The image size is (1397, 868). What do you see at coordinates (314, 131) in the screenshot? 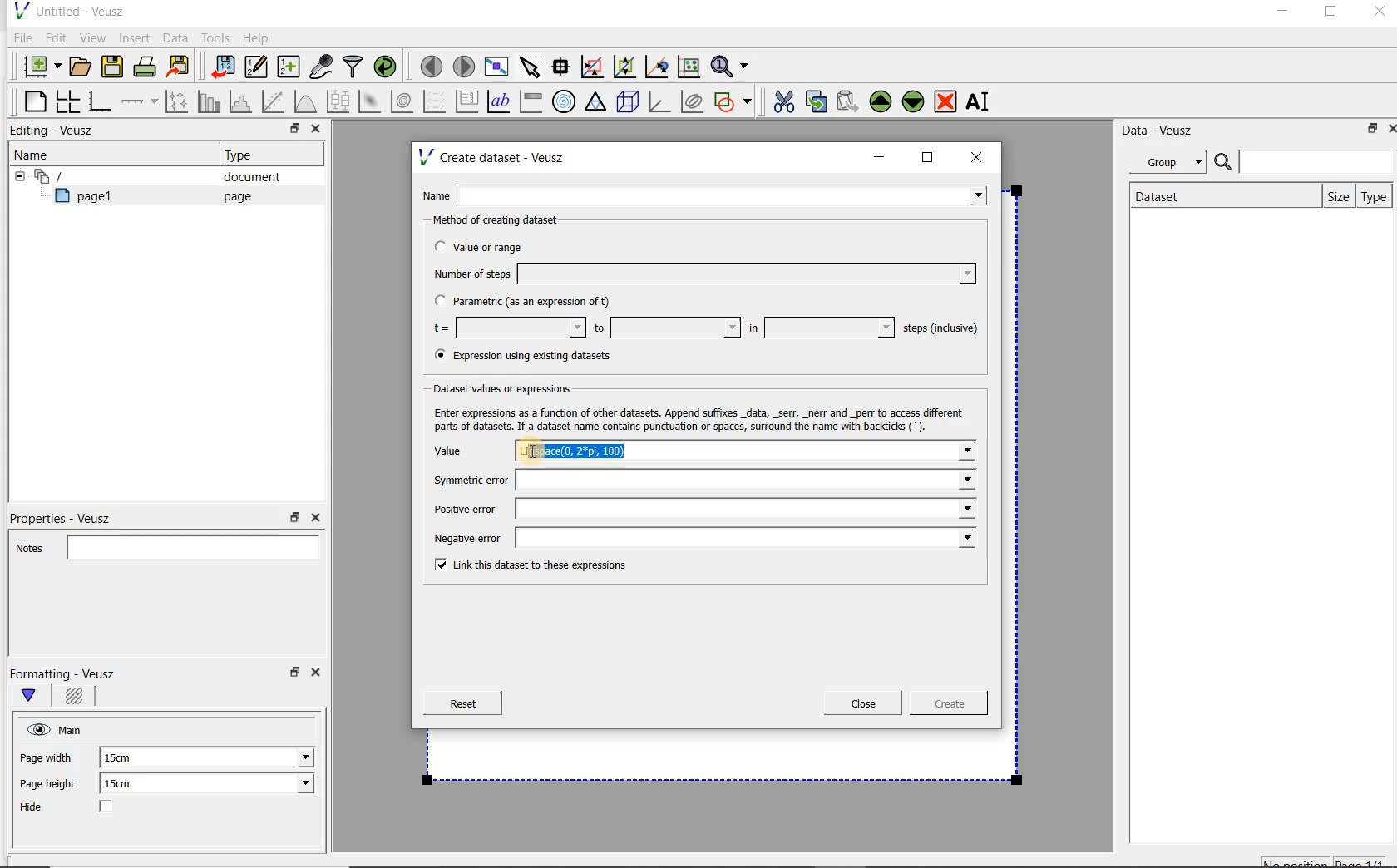
I see `Close` at bounding box center [314, 131].